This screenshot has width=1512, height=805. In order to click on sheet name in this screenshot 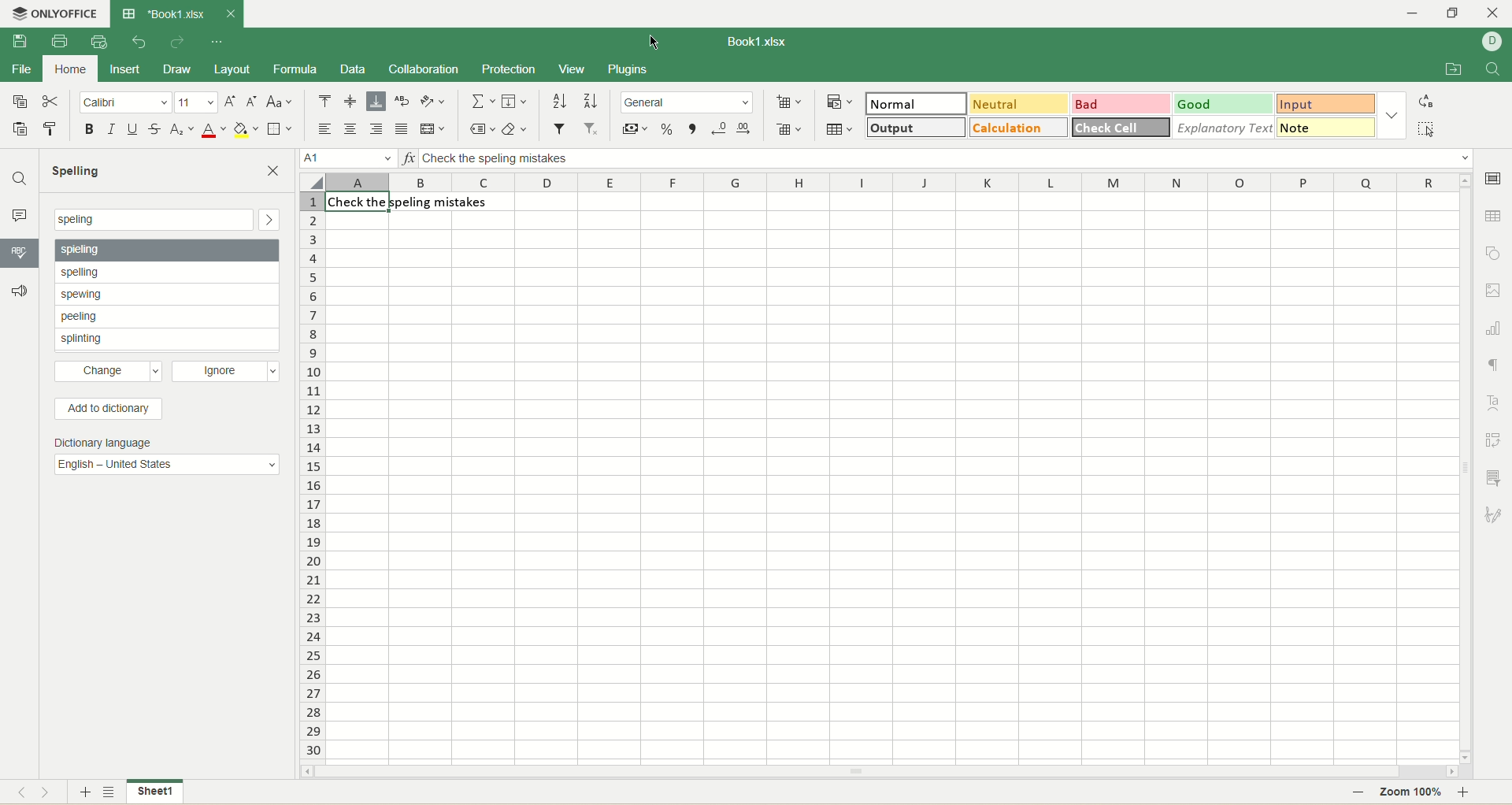, I will do `click(157, 792)`.